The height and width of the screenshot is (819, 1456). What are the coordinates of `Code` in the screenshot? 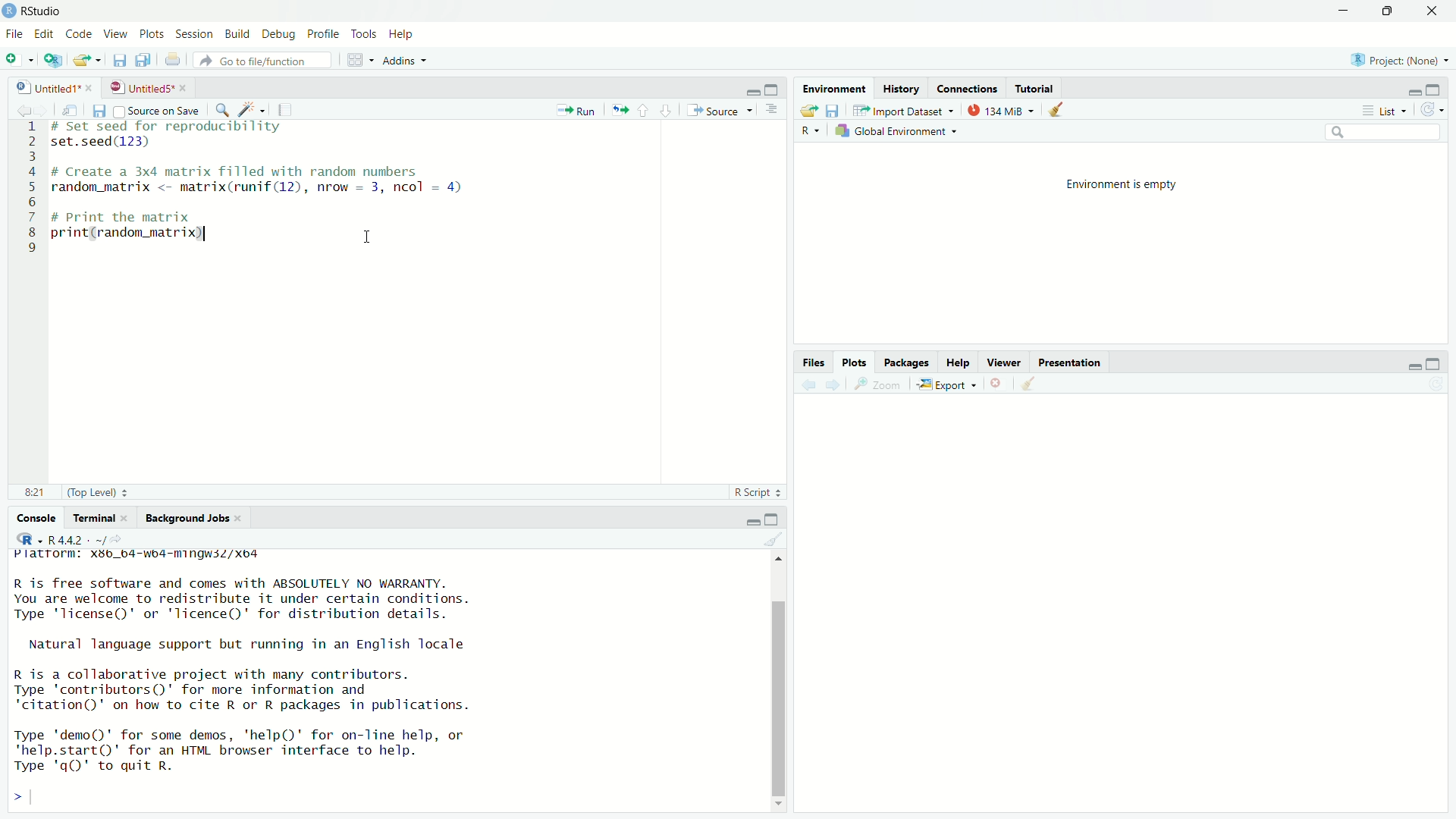 It's located at (80, 35).